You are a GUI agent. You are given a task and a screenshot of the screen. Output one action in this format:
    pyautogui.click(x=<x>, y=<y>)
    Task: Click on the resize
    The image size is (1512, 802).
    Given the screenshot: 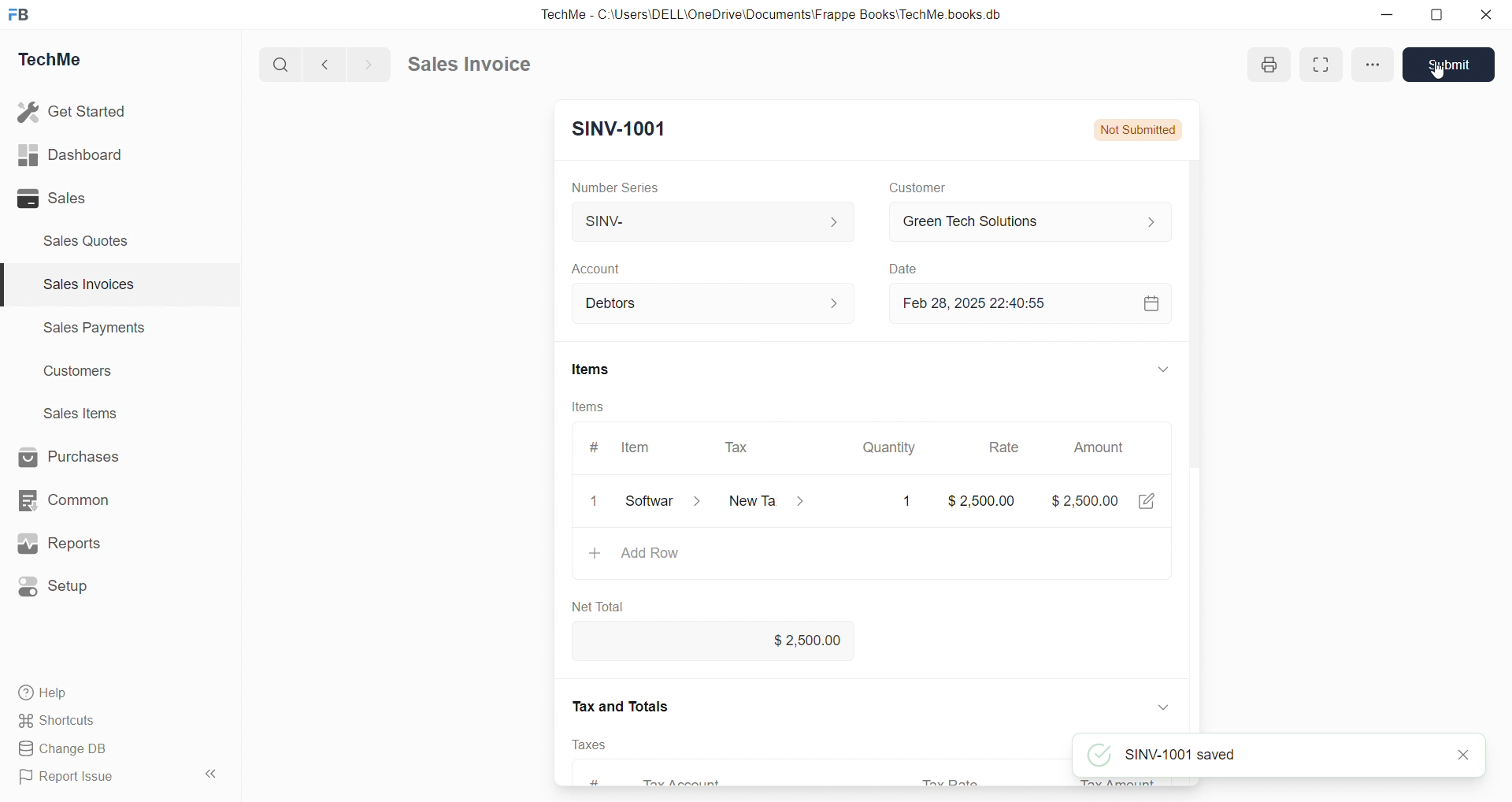 What is the action you would take?
    pyautogui.click(x=1436, y=16)
    